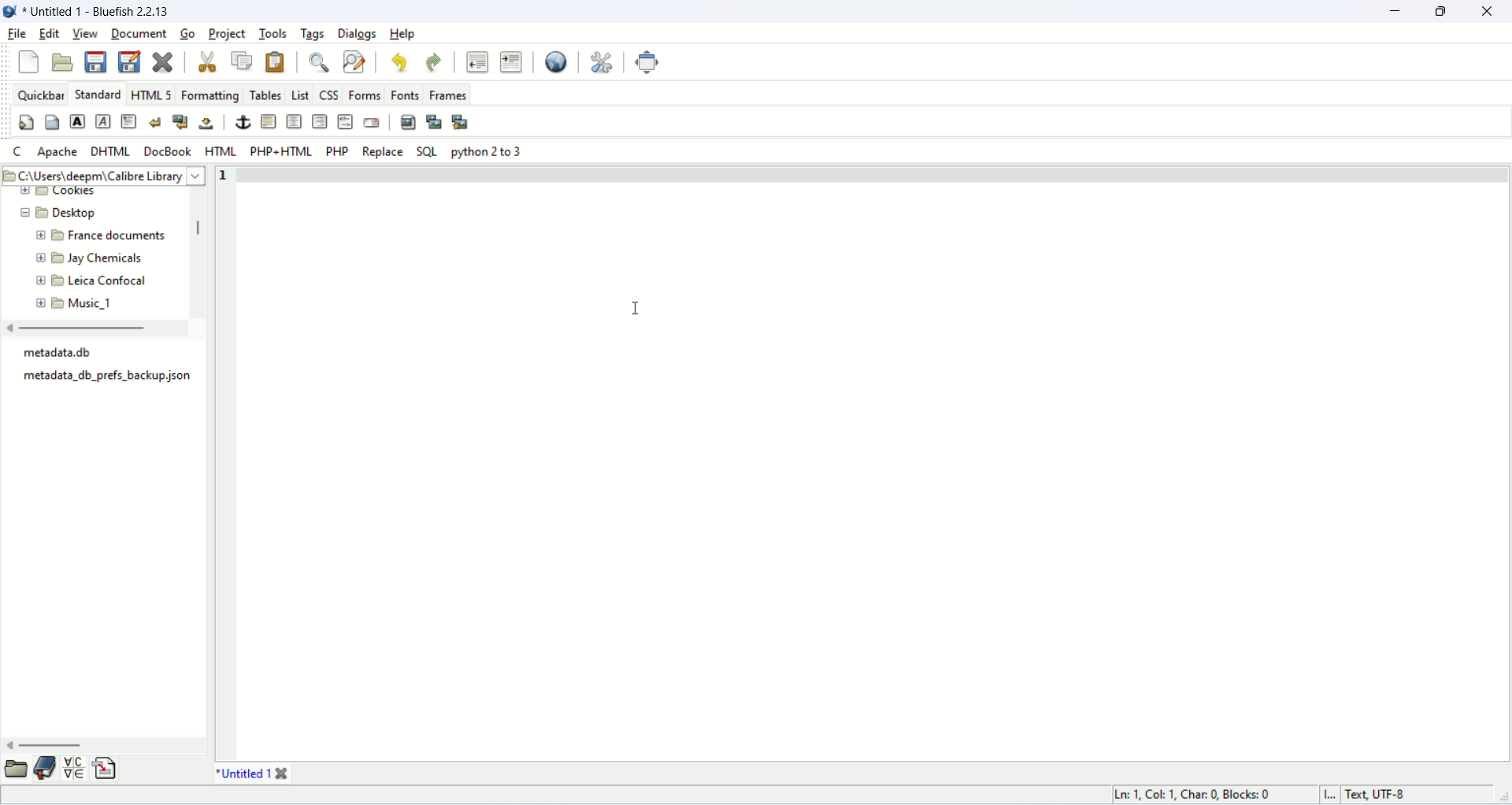 The width and height of the screenshot is (1512, 805). What do you see at coordinates (128, 121) in the screenshot?
I see `paragraph` at bounding box center [128, 121].